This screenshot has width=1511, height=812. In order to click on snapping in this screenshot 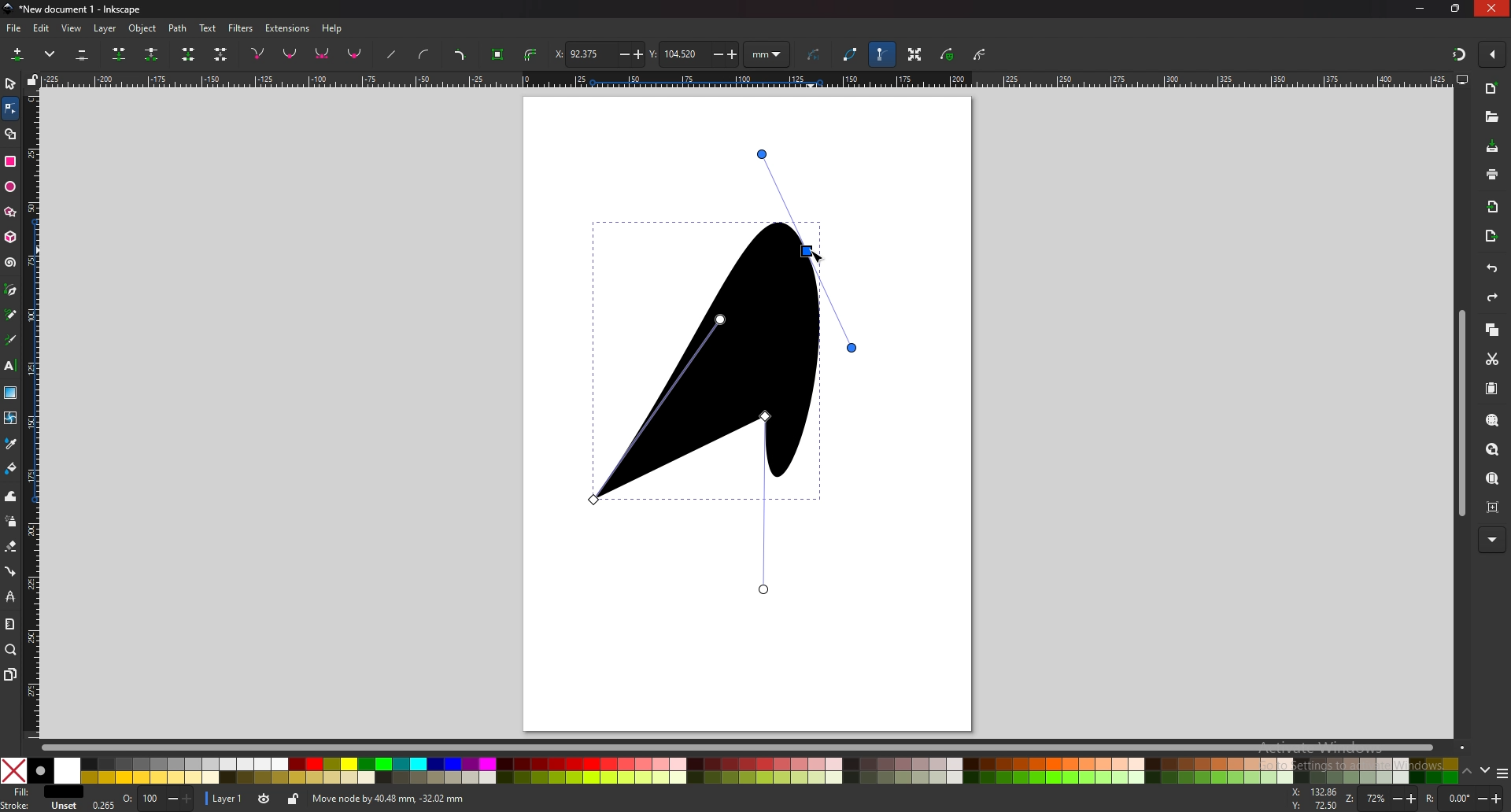, I will do `click(1459, 55)`.